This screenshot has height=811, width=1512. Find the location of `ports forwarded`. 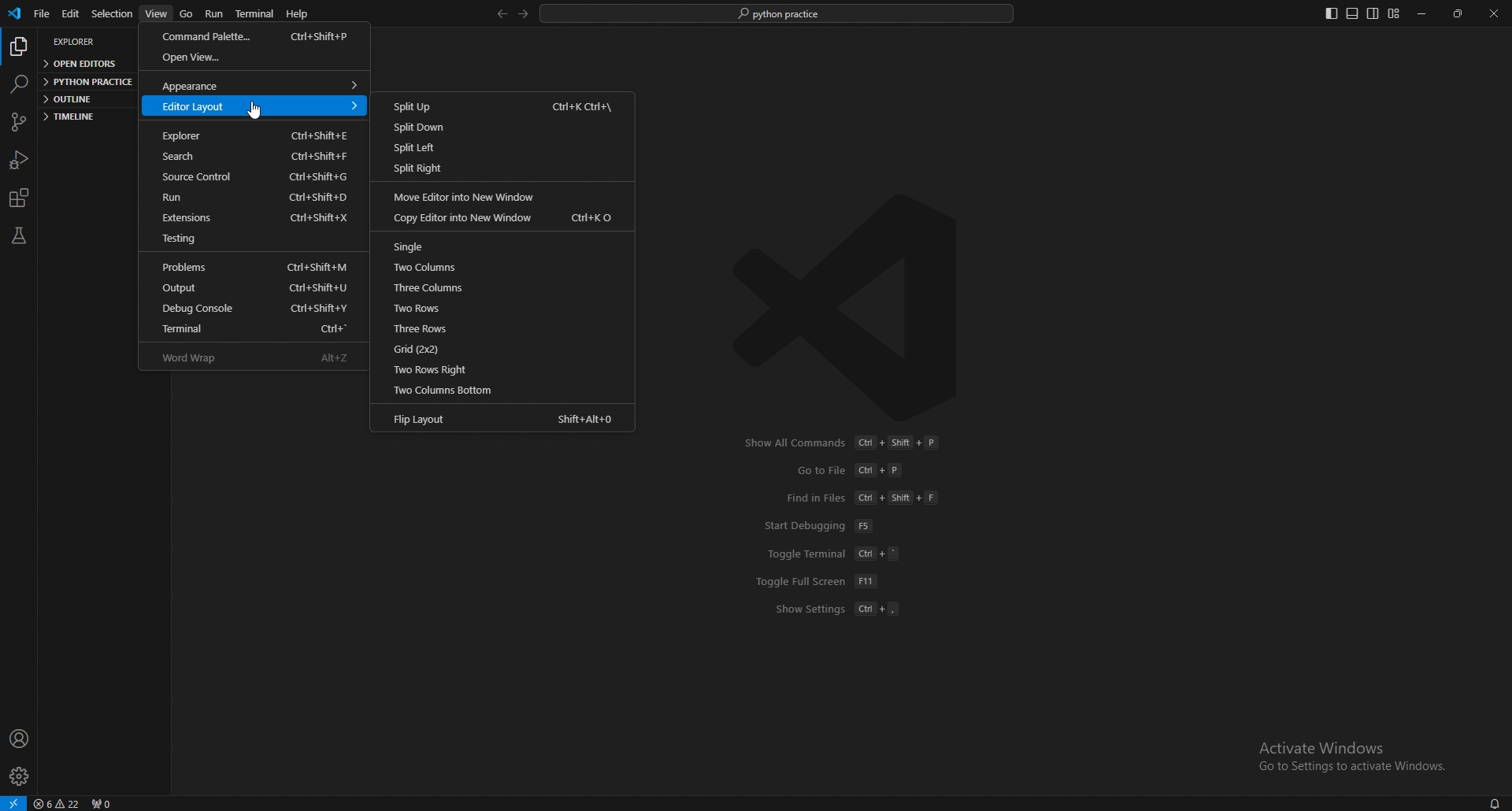

ports forwarded is located at coordinates (102, 803).